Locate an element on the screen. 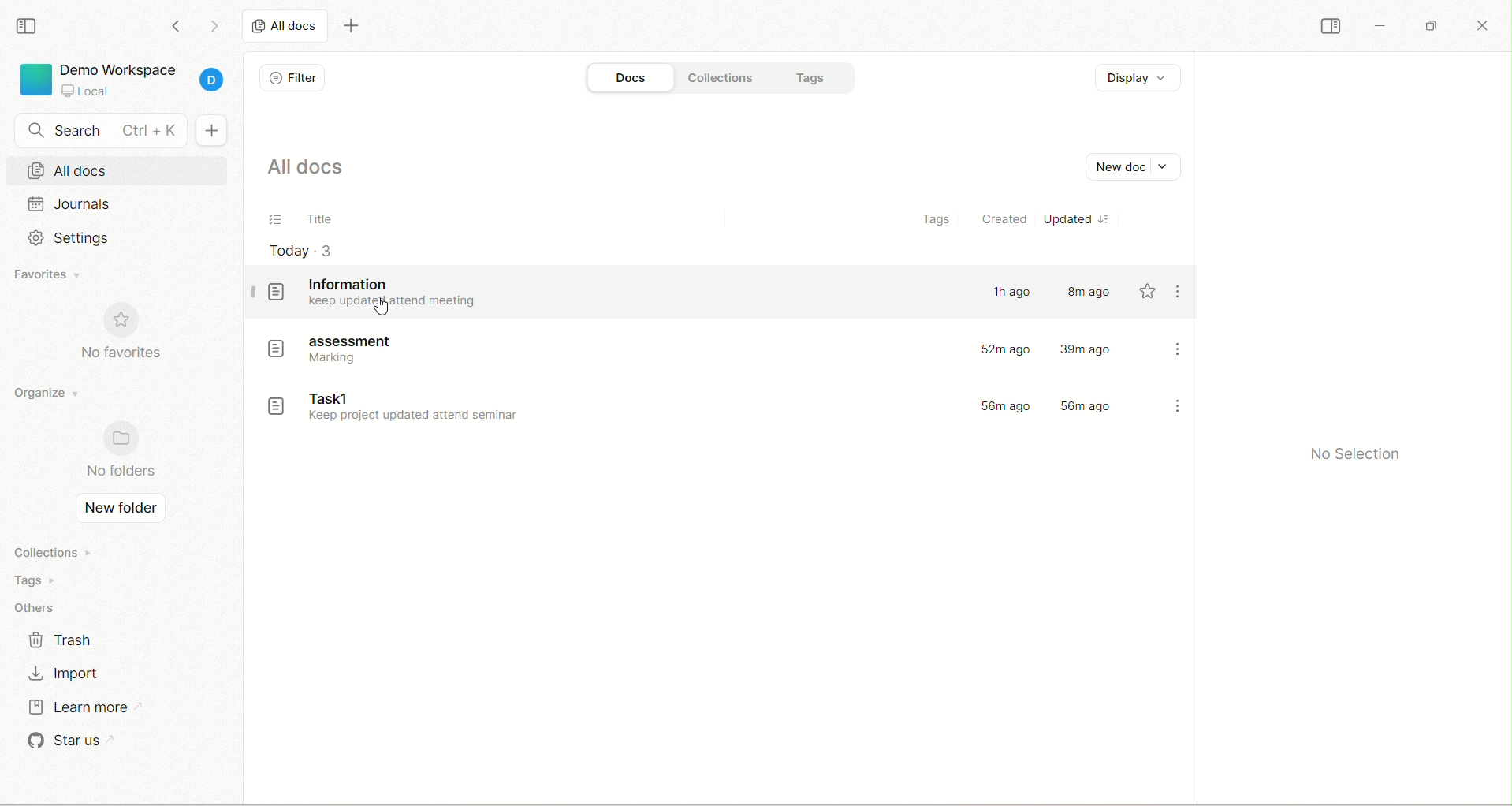 Image resolution: width=1512 pixels, height=806 pixels. go back is located at coordinates (177, 31).